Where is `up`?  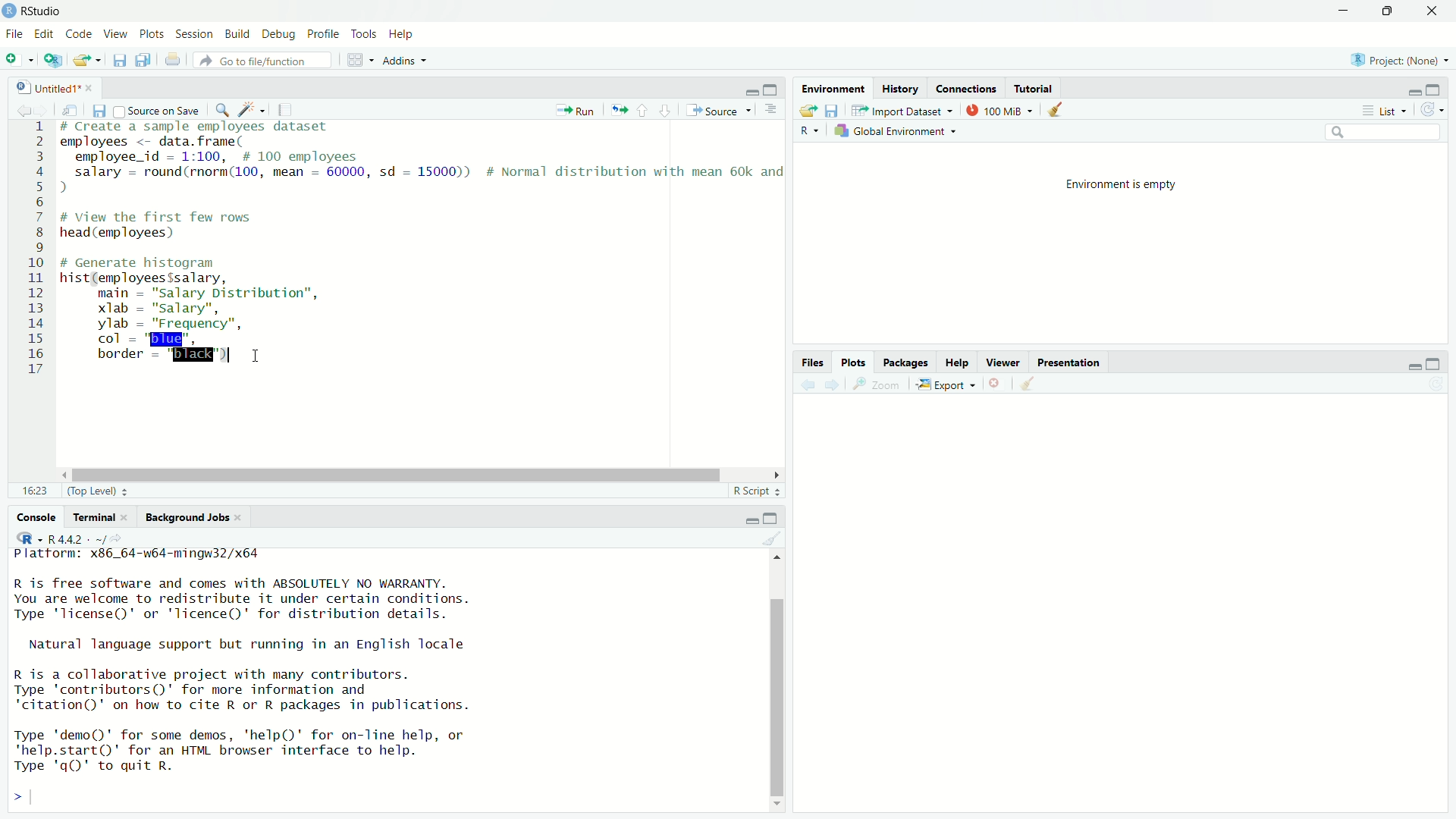
up is located at coordinates (643, 111).